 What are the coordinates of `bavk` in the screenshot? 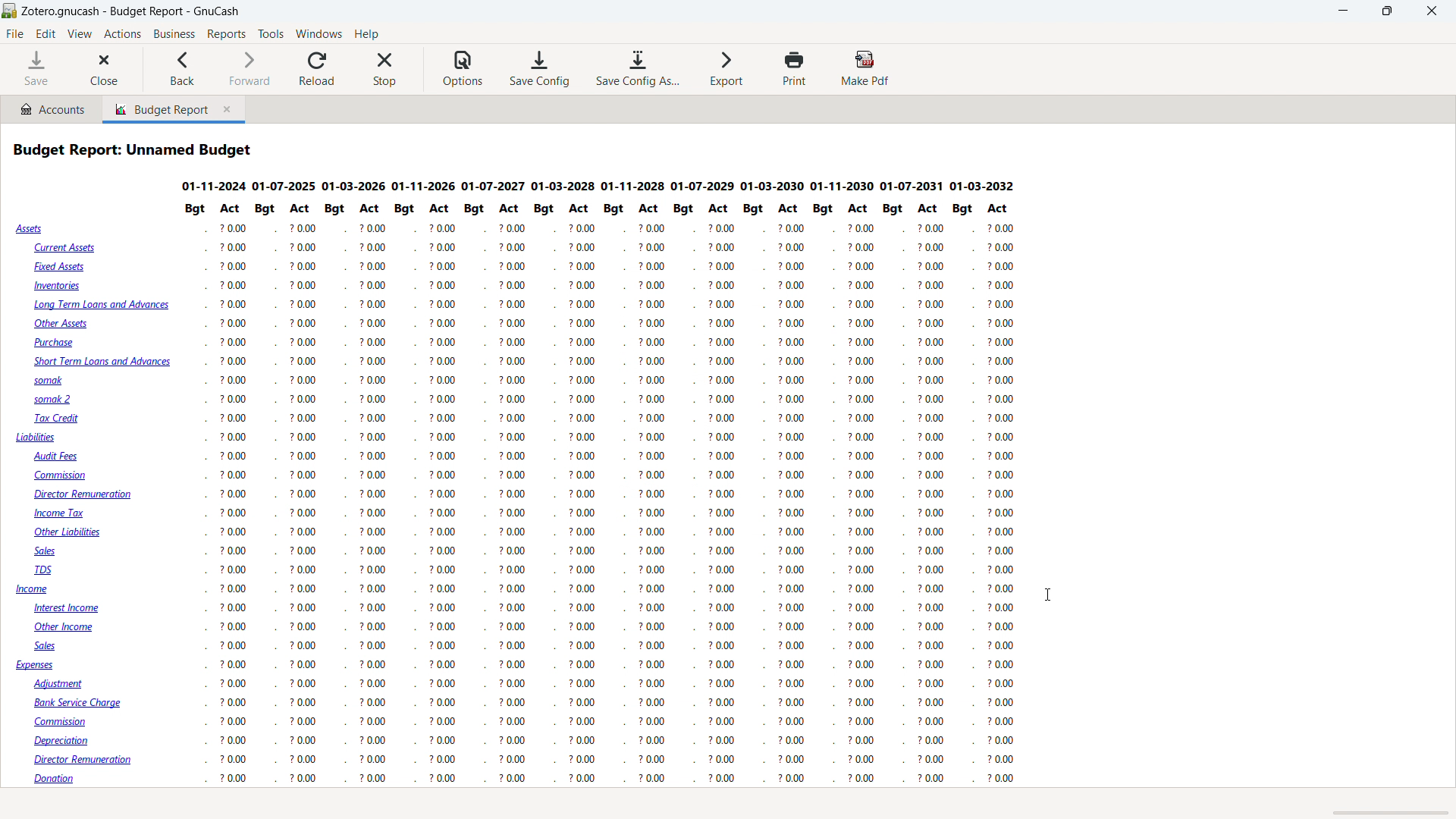 It's located at (183, 69).